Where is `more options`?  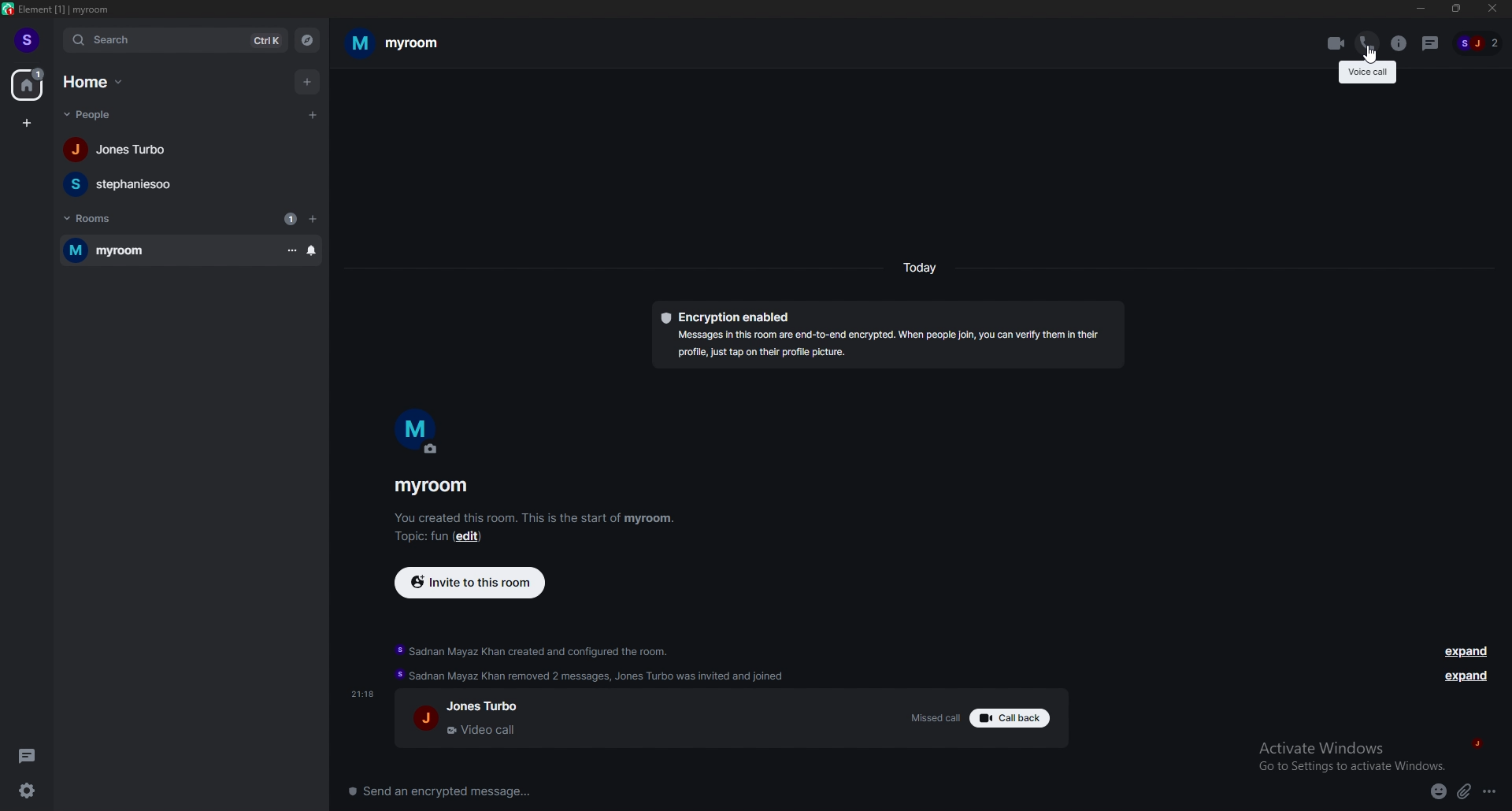
more options is located at coordinates (1491, 792).